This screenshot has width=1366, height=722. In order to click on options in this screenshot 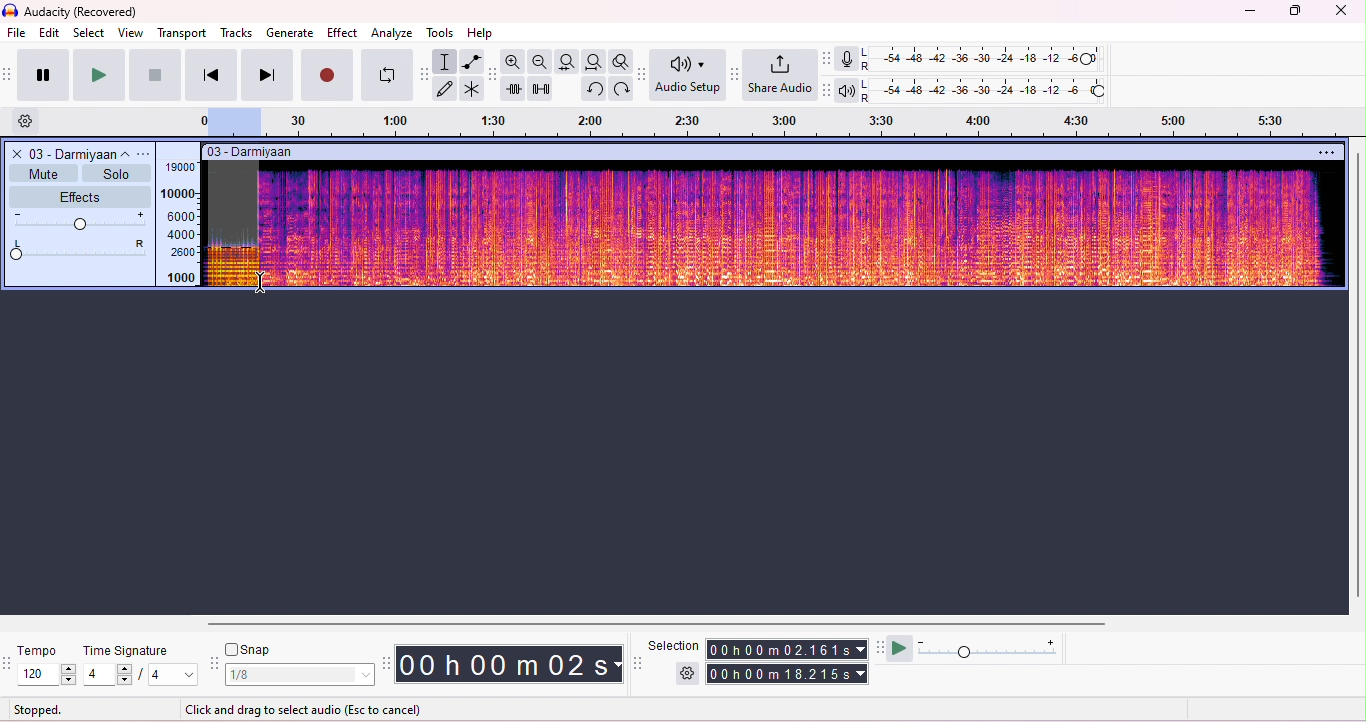, I will do `click(145, 154)`.